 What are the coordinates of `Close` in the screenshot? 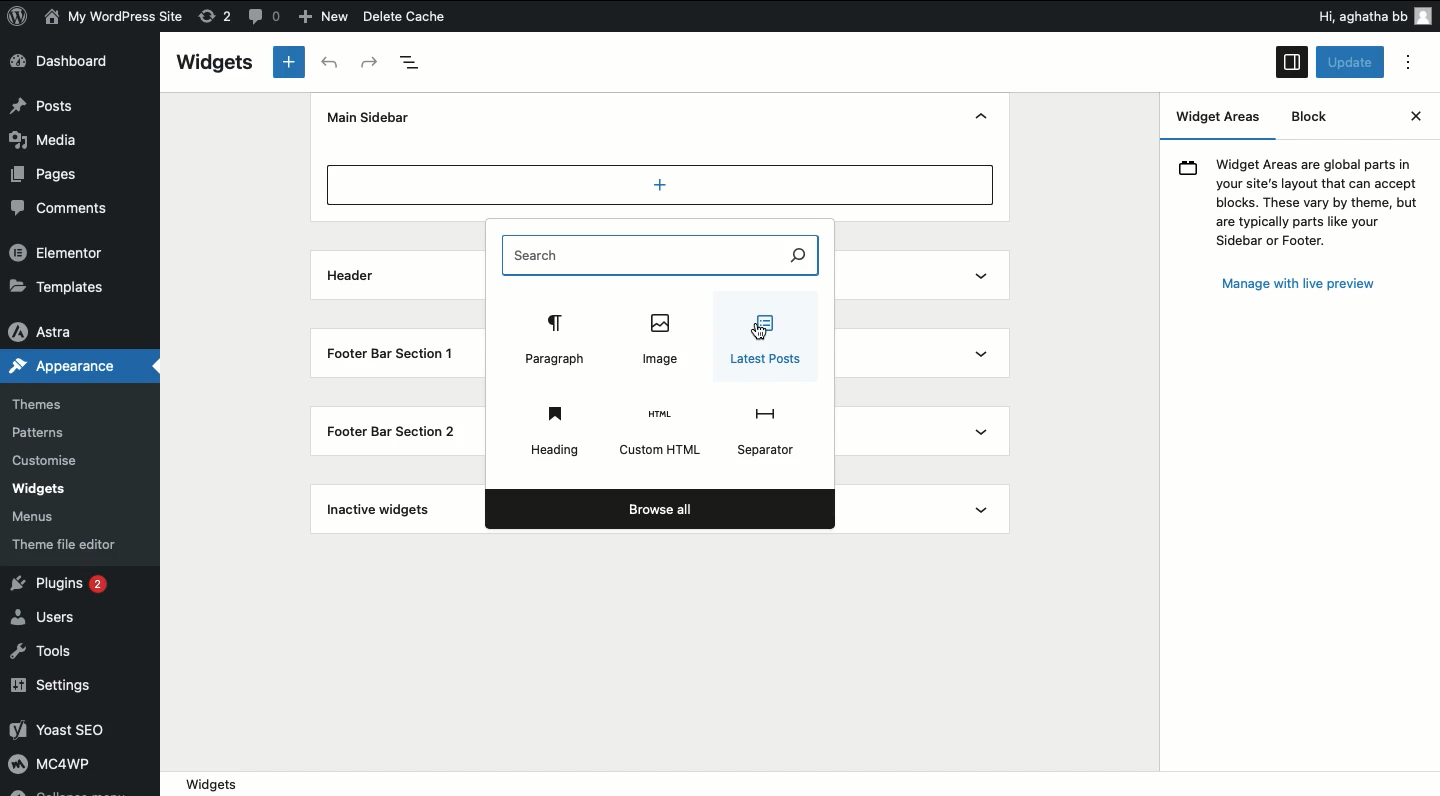 It's located at (1415, 117).